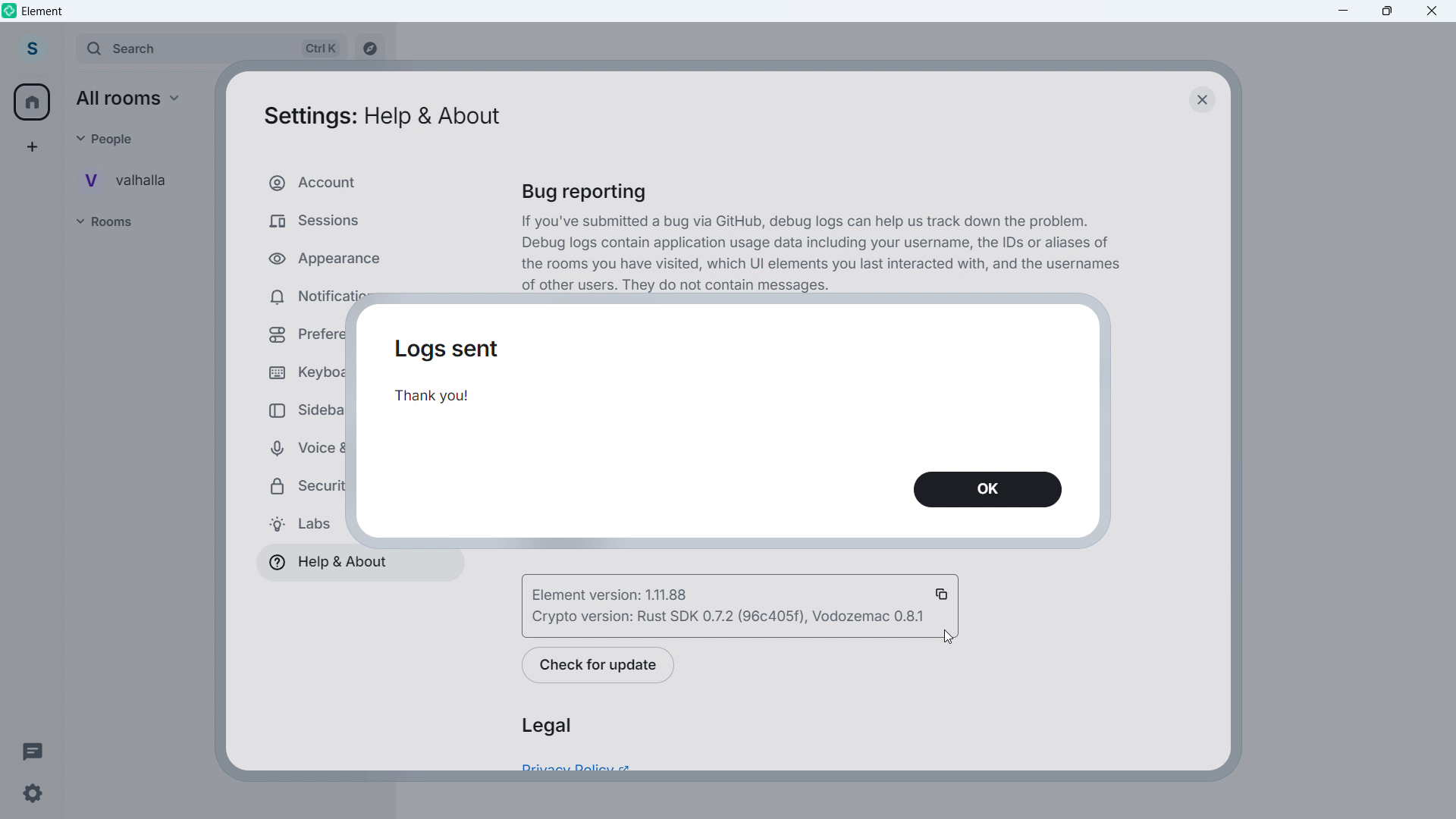 The width and height of the screenshot is (1456, 819). I want to click on cursor, so click(949, 636).